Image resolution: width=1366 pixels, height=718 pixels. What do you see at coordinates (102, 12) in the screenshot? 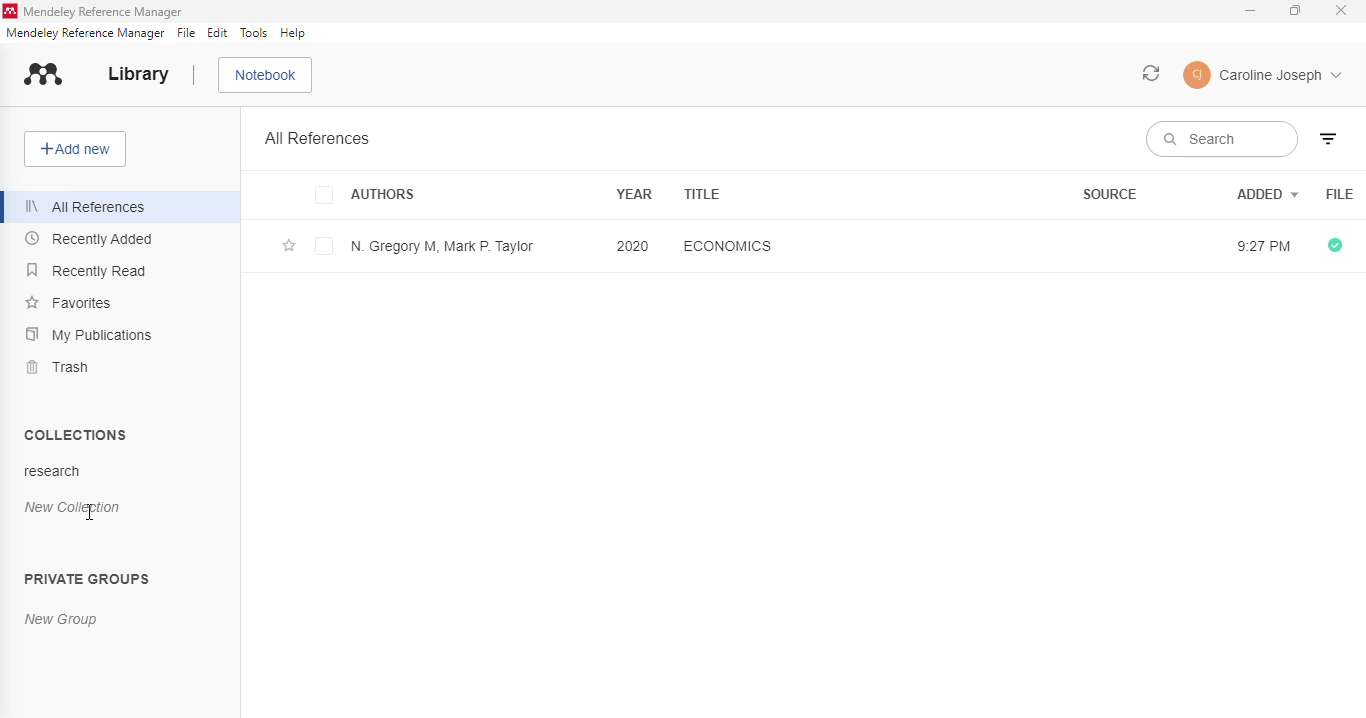
I see `mendeley reference manager` at bounding box center [102, 12].